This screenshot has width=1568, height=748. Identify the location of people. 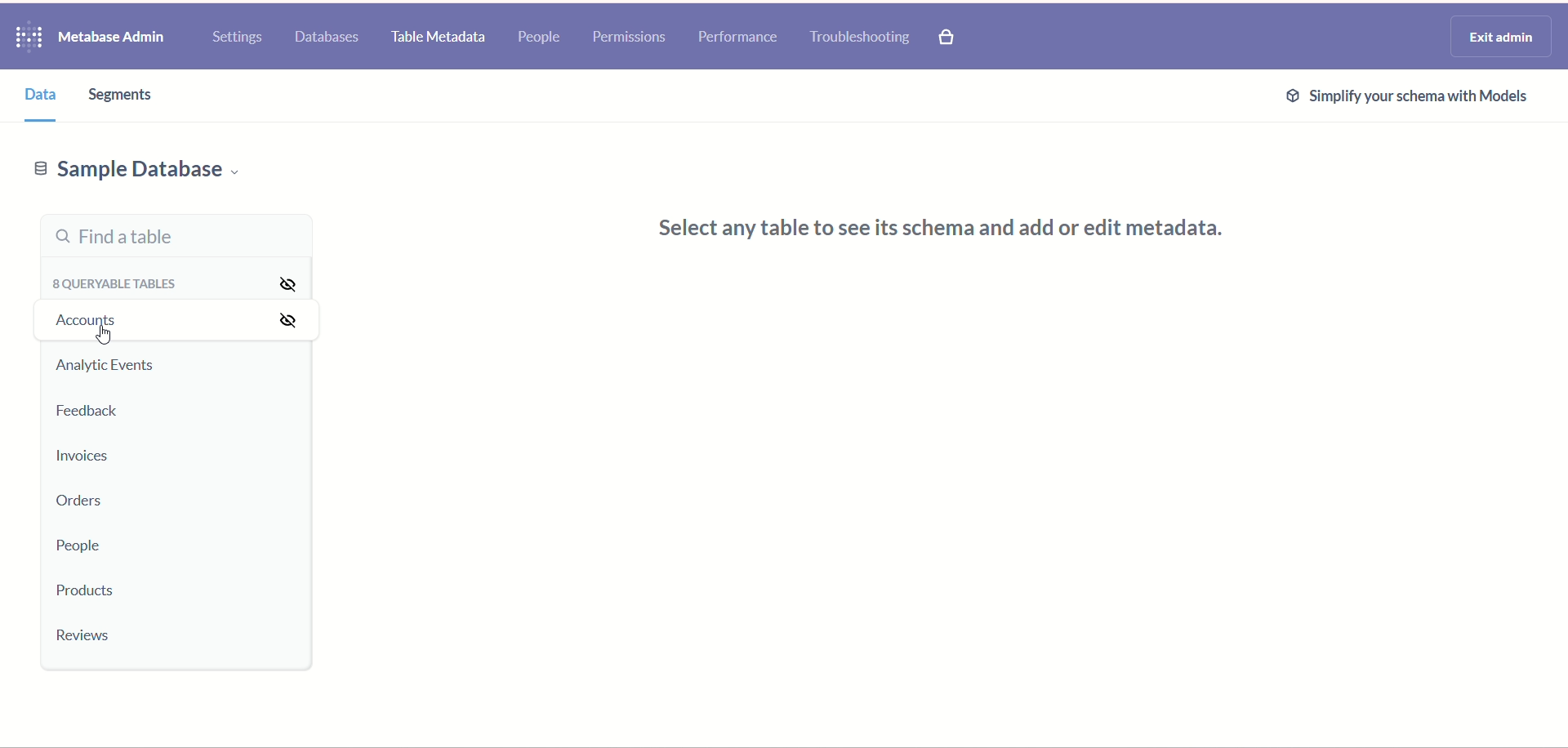
(540, 36).